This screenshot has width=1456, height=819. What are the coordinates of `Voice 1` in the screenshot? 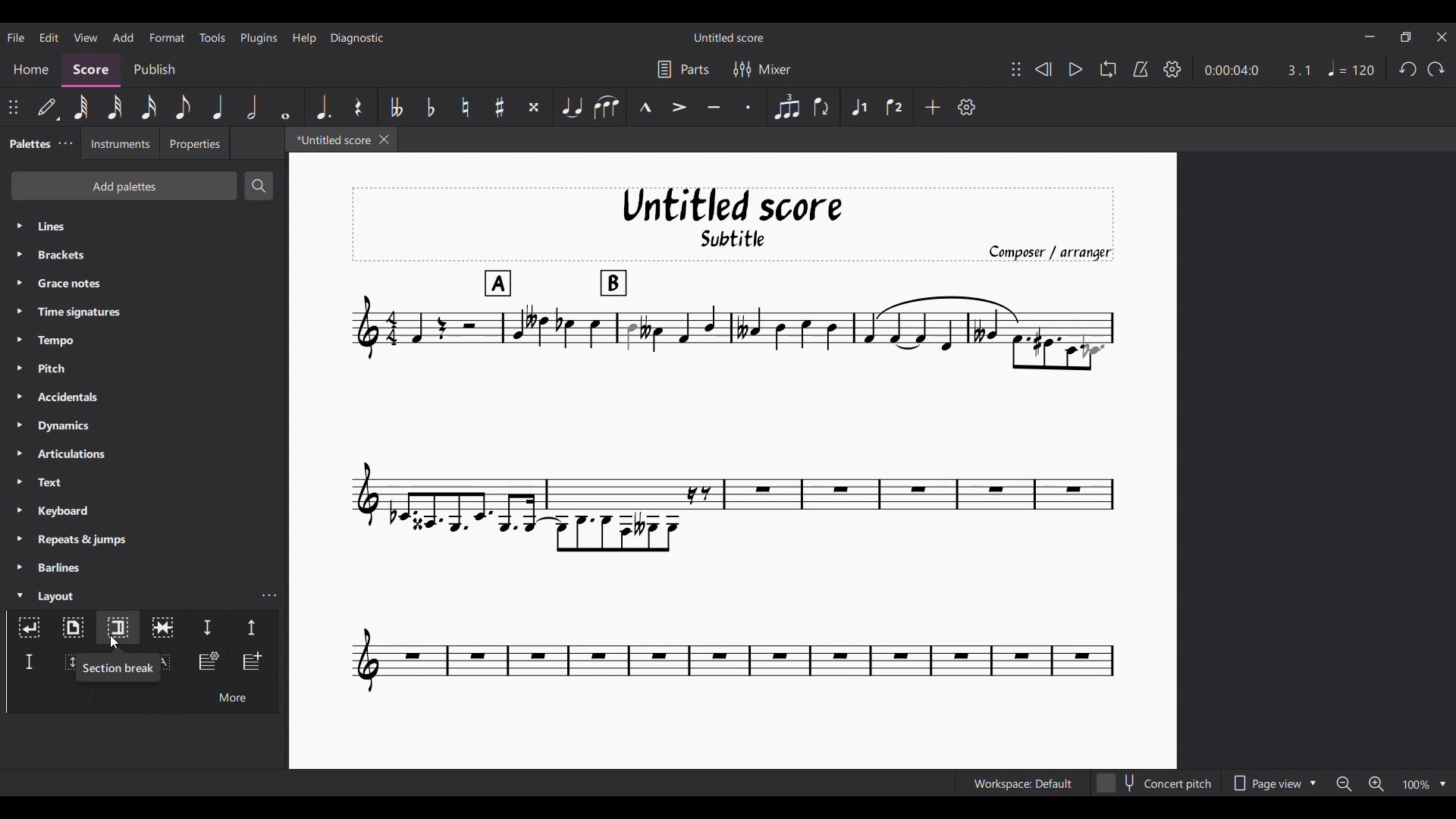 It's located at (858, 107).